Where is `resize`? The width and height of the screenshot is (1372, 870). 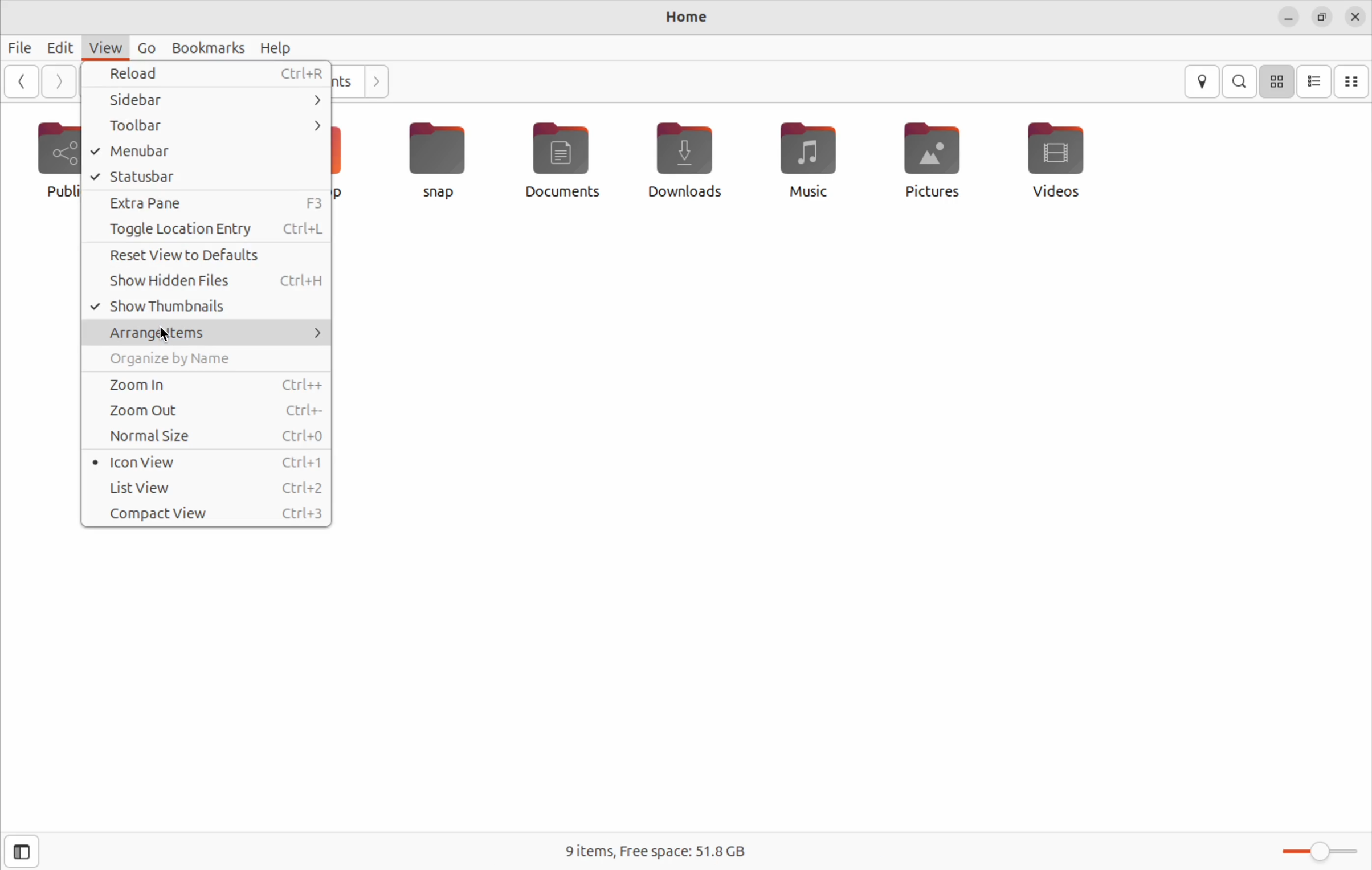
resize is located at coordinates (1324, 18).